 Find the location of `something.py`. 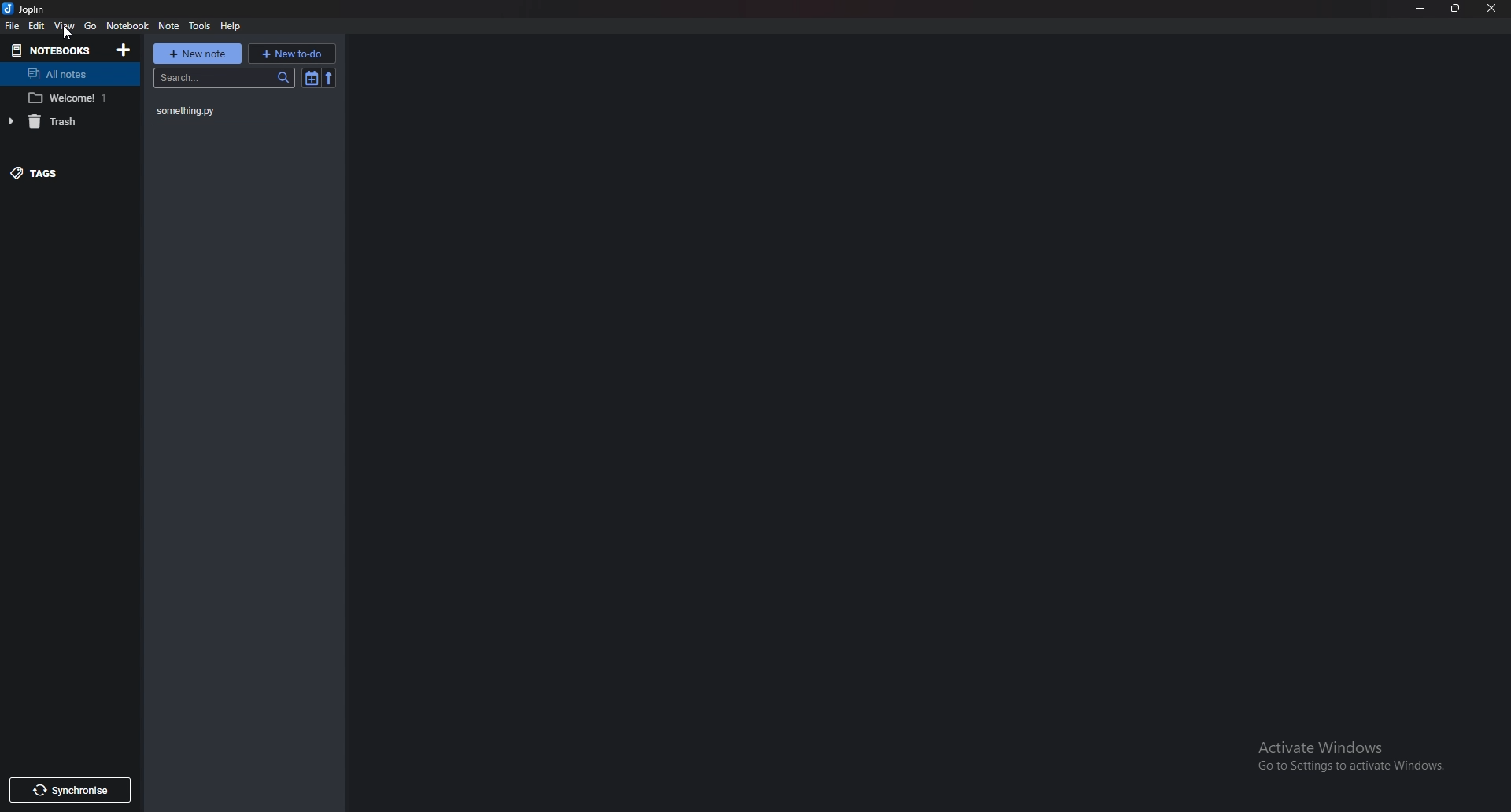

something.py is located at coordinates (231, 111).